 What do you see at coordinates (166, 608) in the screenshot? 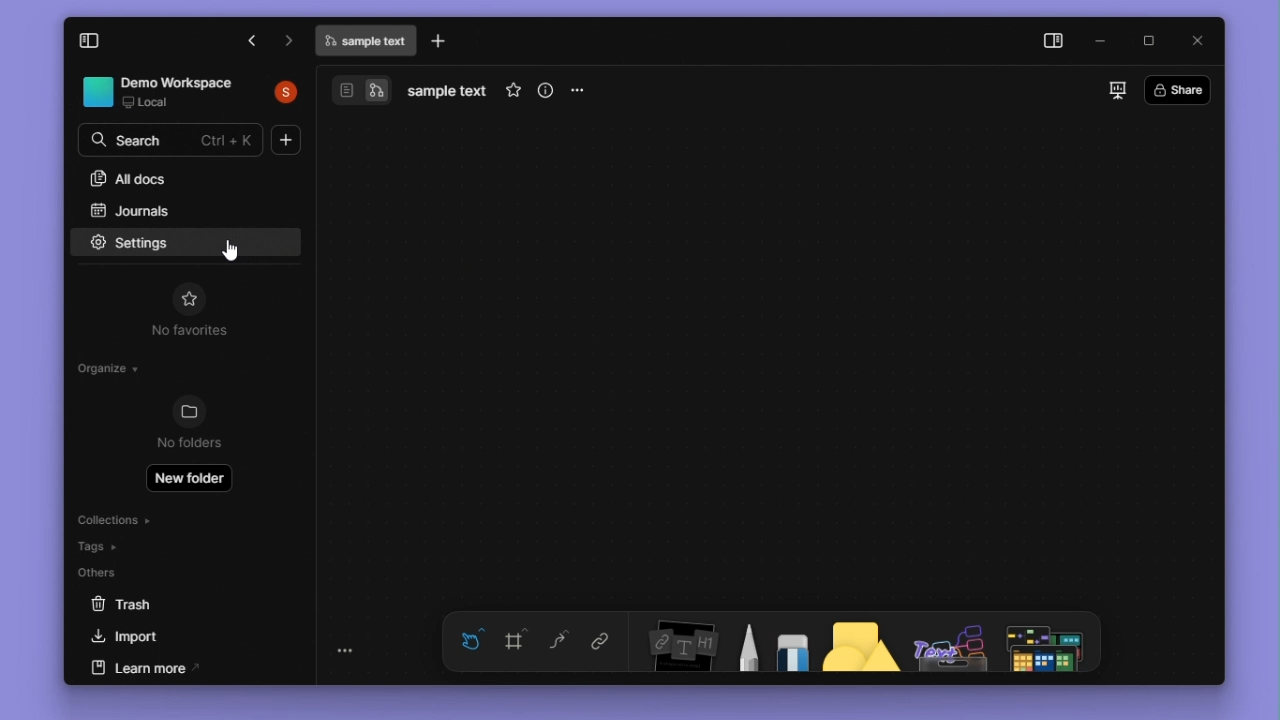
I see `trash` at bounding box center [166, 608].